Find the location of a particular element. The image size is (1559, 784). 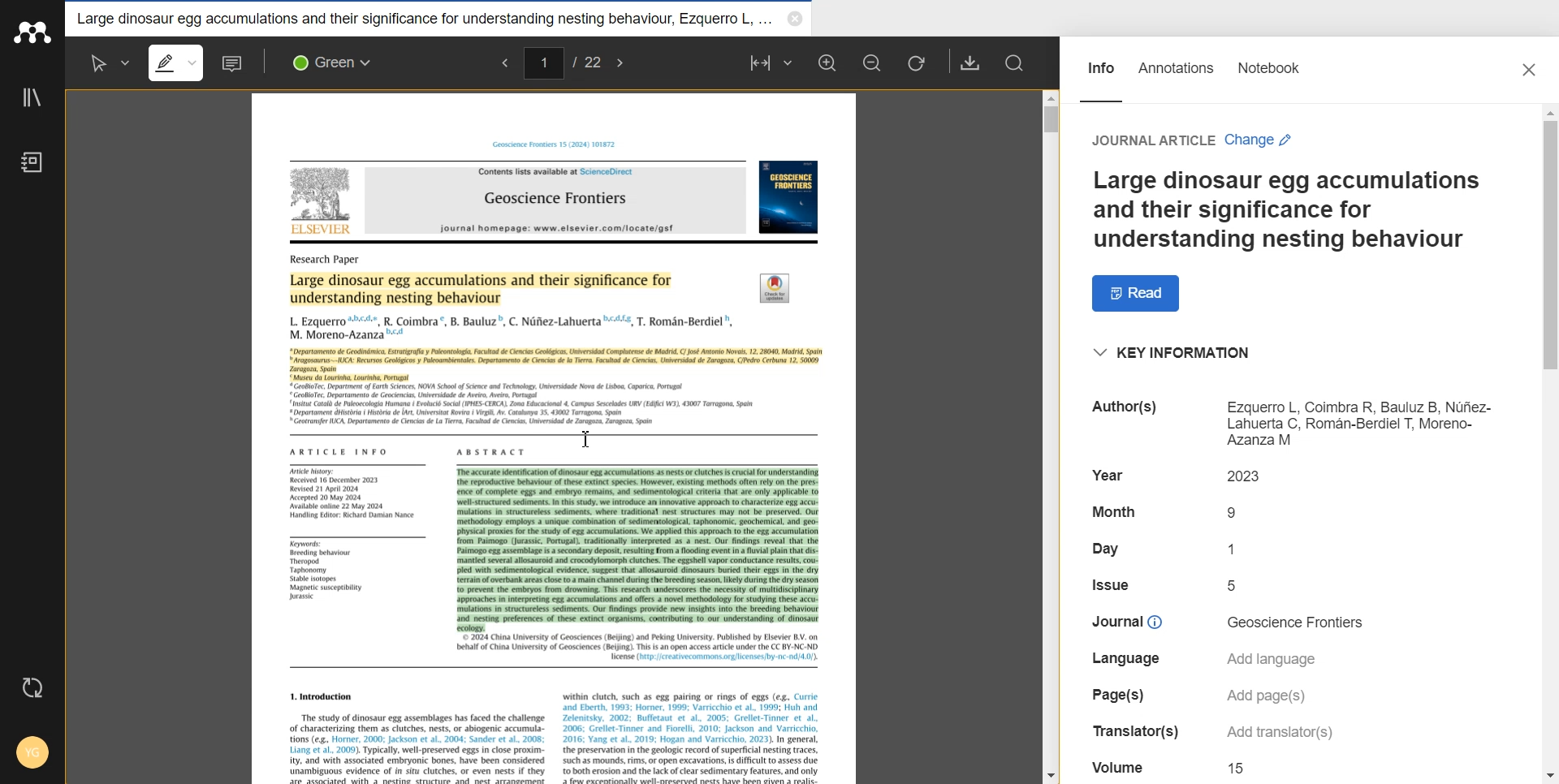

image is located at coordinates (323, 203).